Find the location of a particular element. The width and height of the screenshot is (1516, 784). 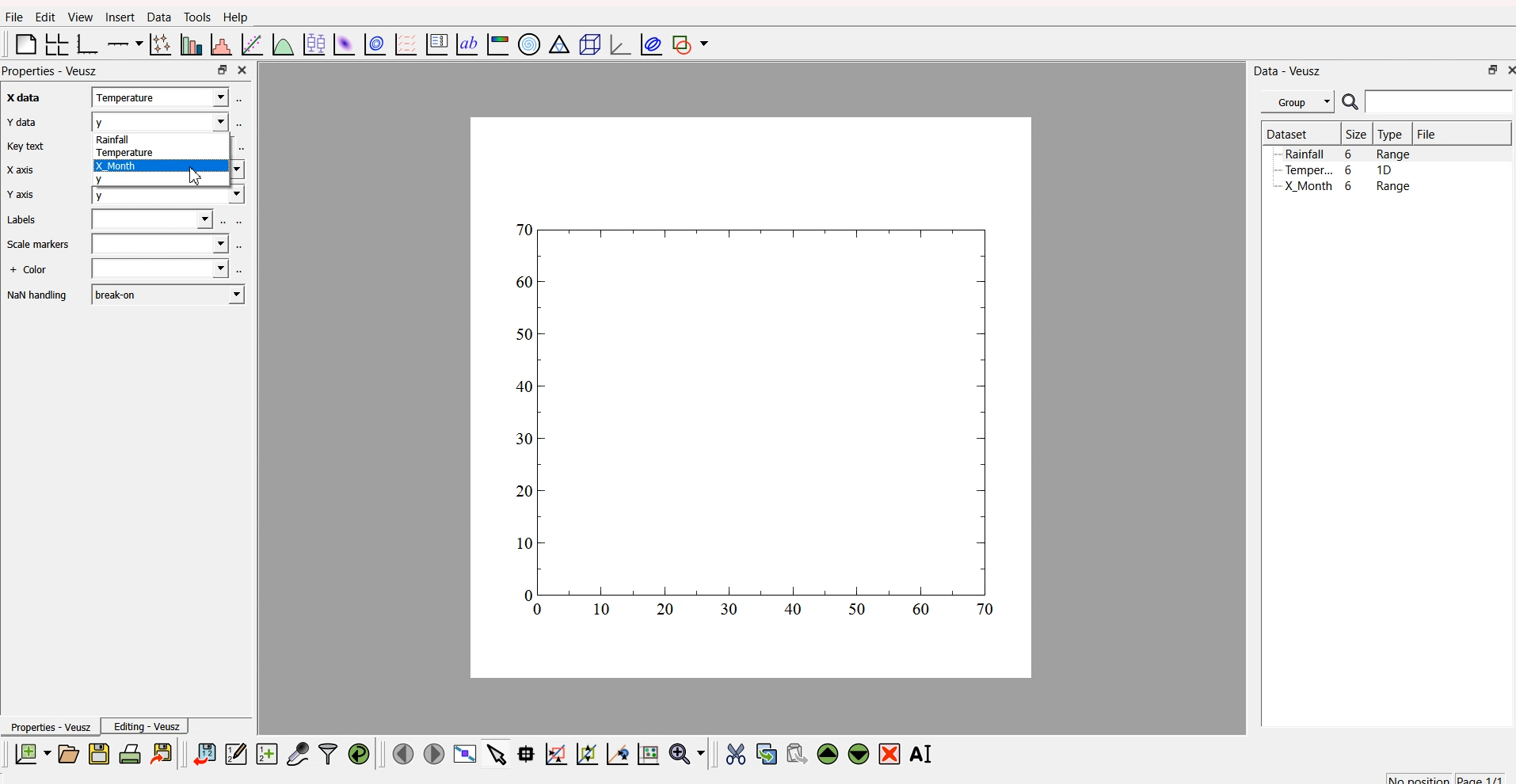

field is located at coordinates (154, 220).